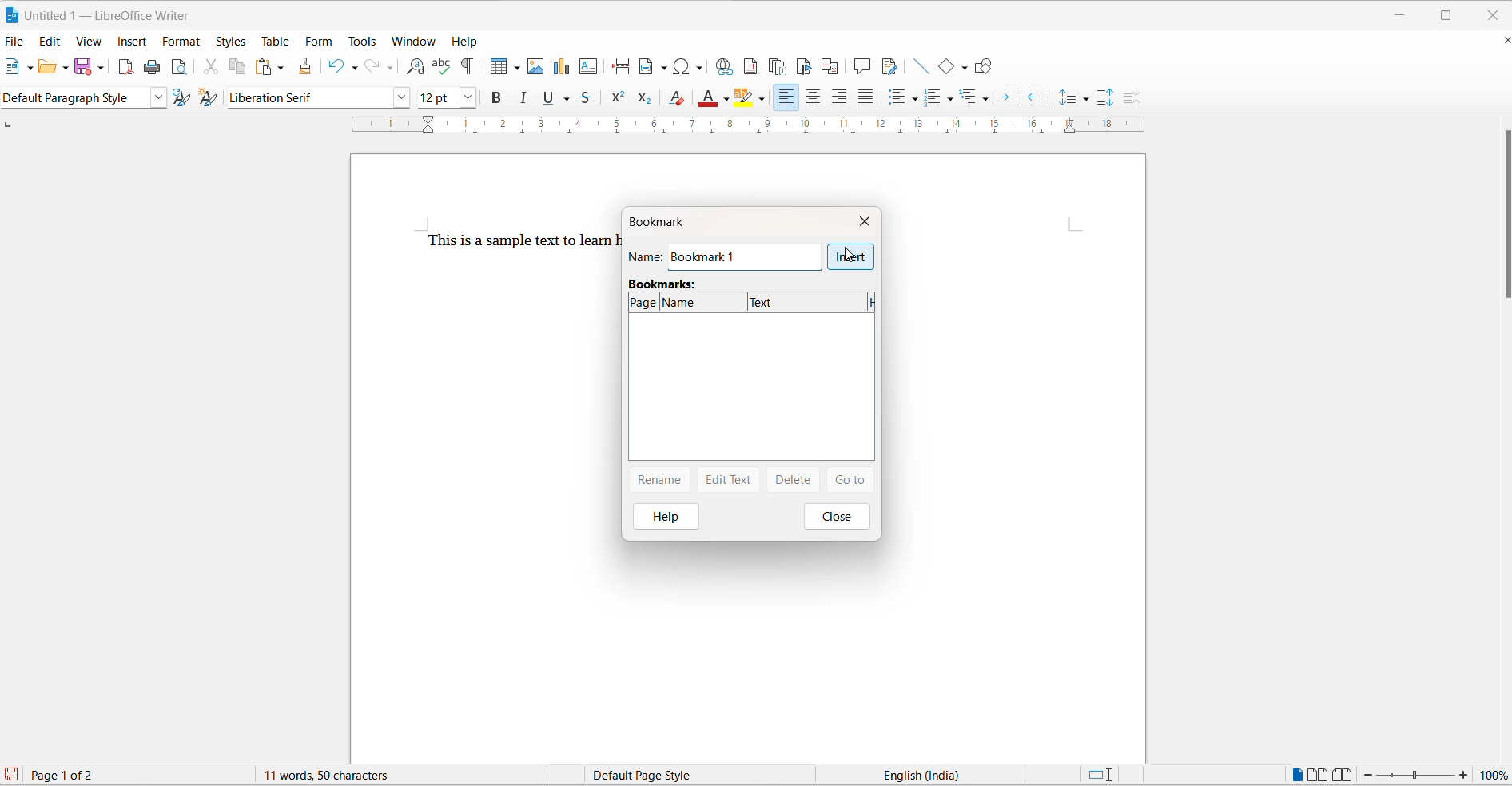 The image size is (1512, 786). Describe the element at coordinates (814, 97) in the screenshot. I see `text align center` at that location.